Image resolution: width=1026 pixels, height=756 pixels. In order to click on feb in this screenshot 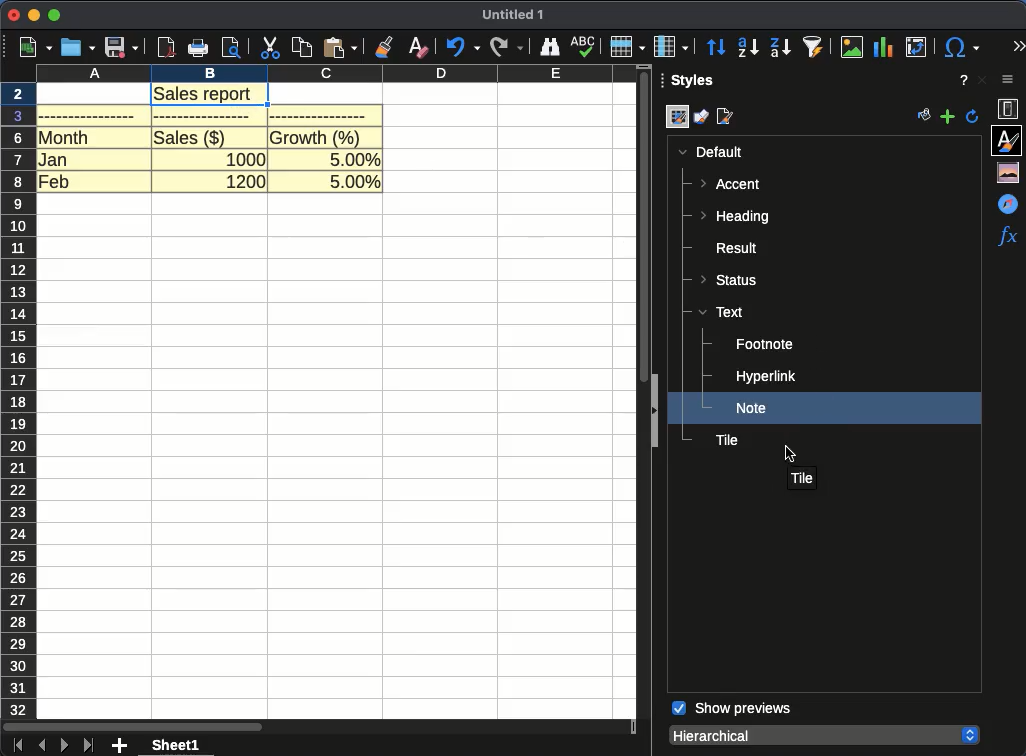, I will do `click(54, 180)`.